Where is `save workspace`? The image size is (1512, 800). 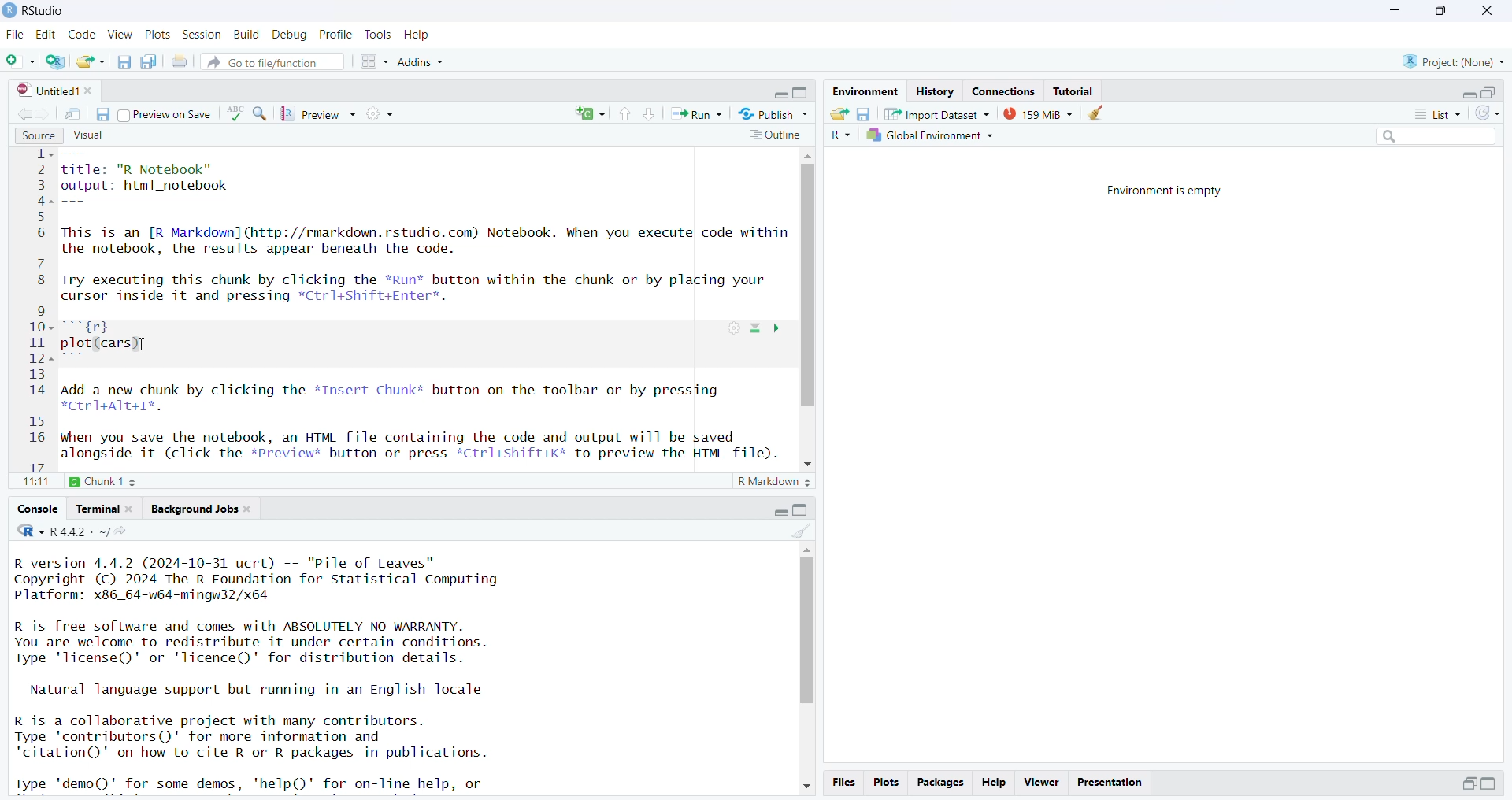
save workspace is located at coordinates (864, 113).